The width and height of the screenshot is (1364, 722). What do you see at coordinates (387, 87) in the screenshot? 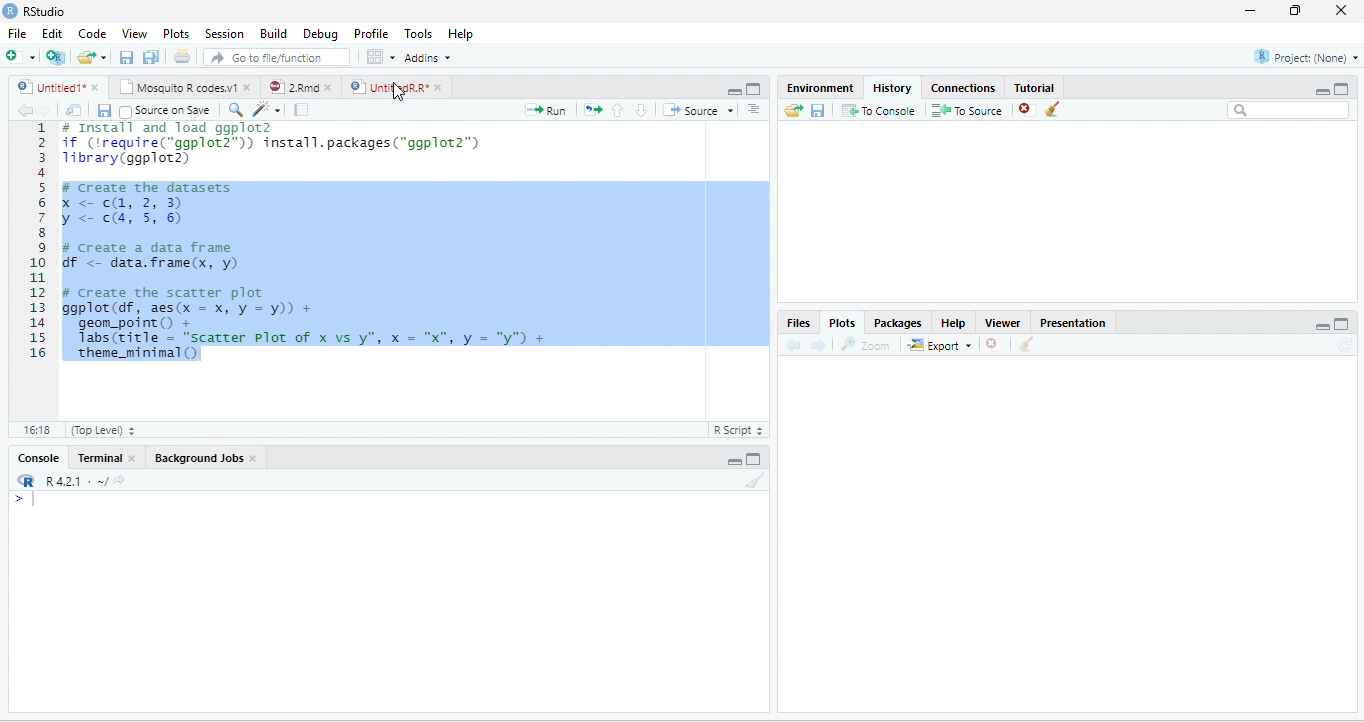
I see `UntitledR.R*` at bounding box center [387, 87].